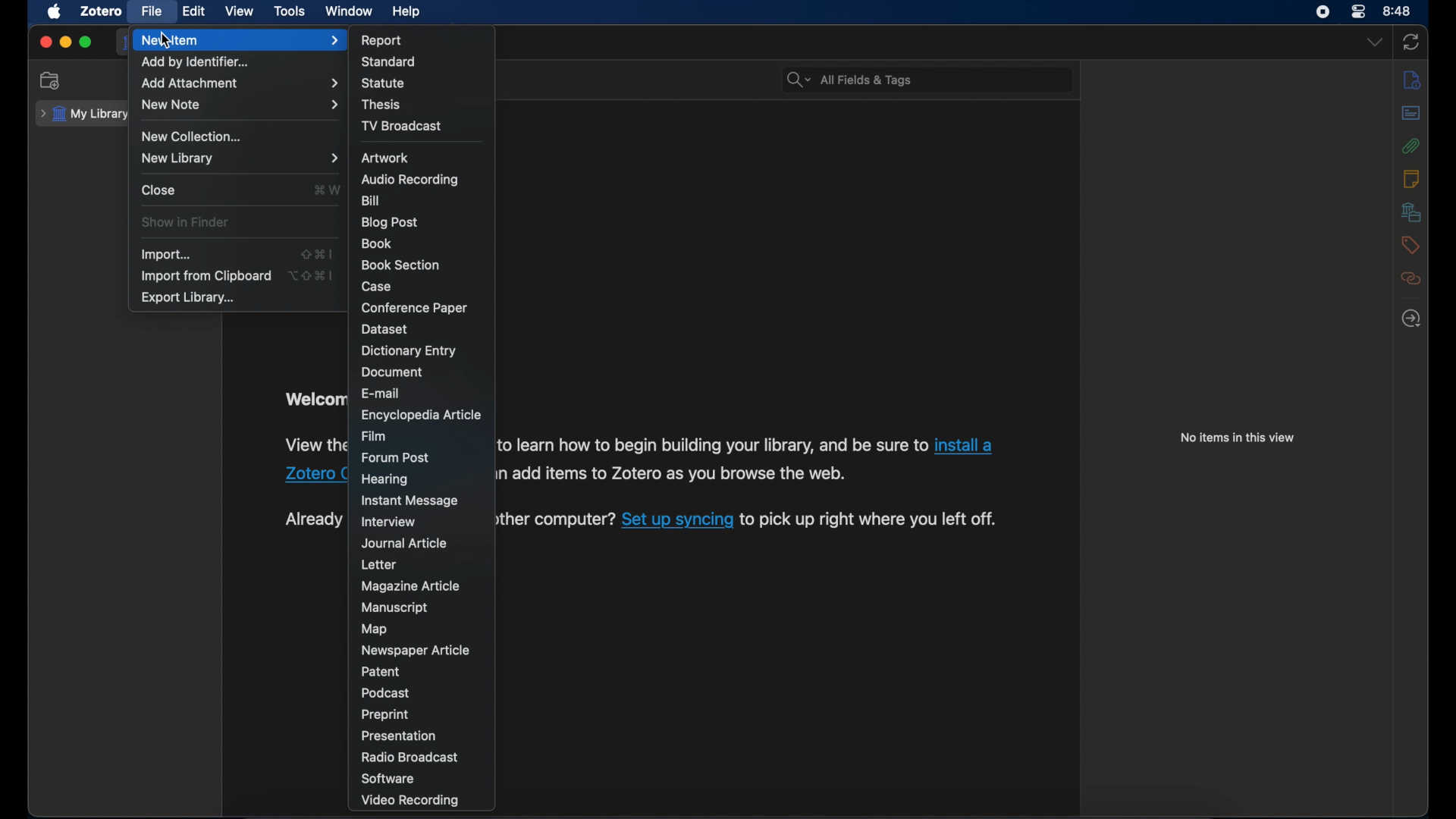 This screenshot has width=1456, height=819. I want to click on software information, so click(869, 522).